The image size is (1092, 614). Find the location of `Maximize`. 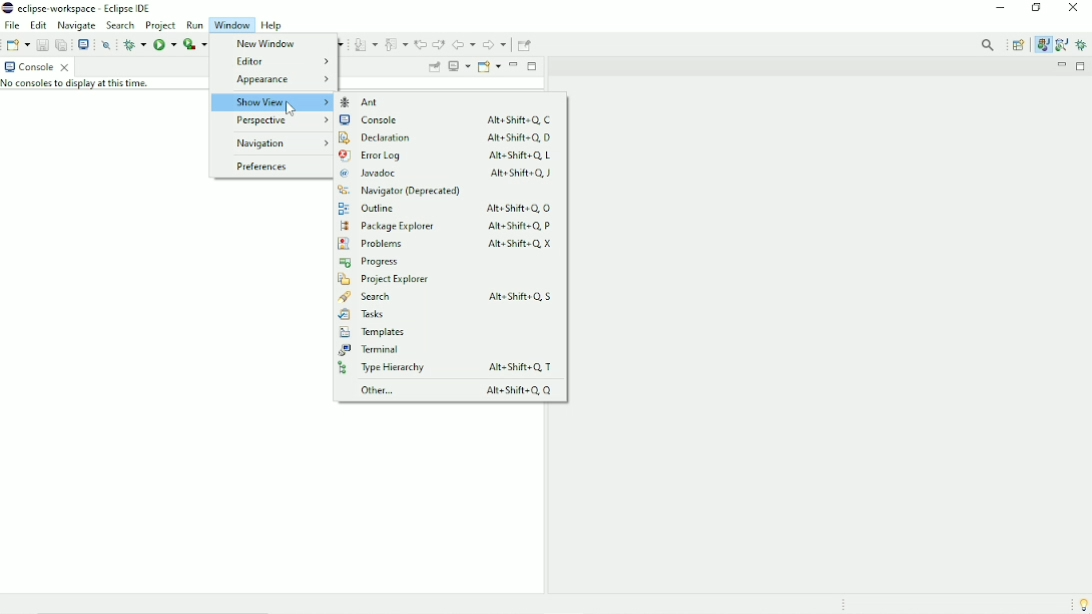

Maximize is located at coordinates (1082, 66).